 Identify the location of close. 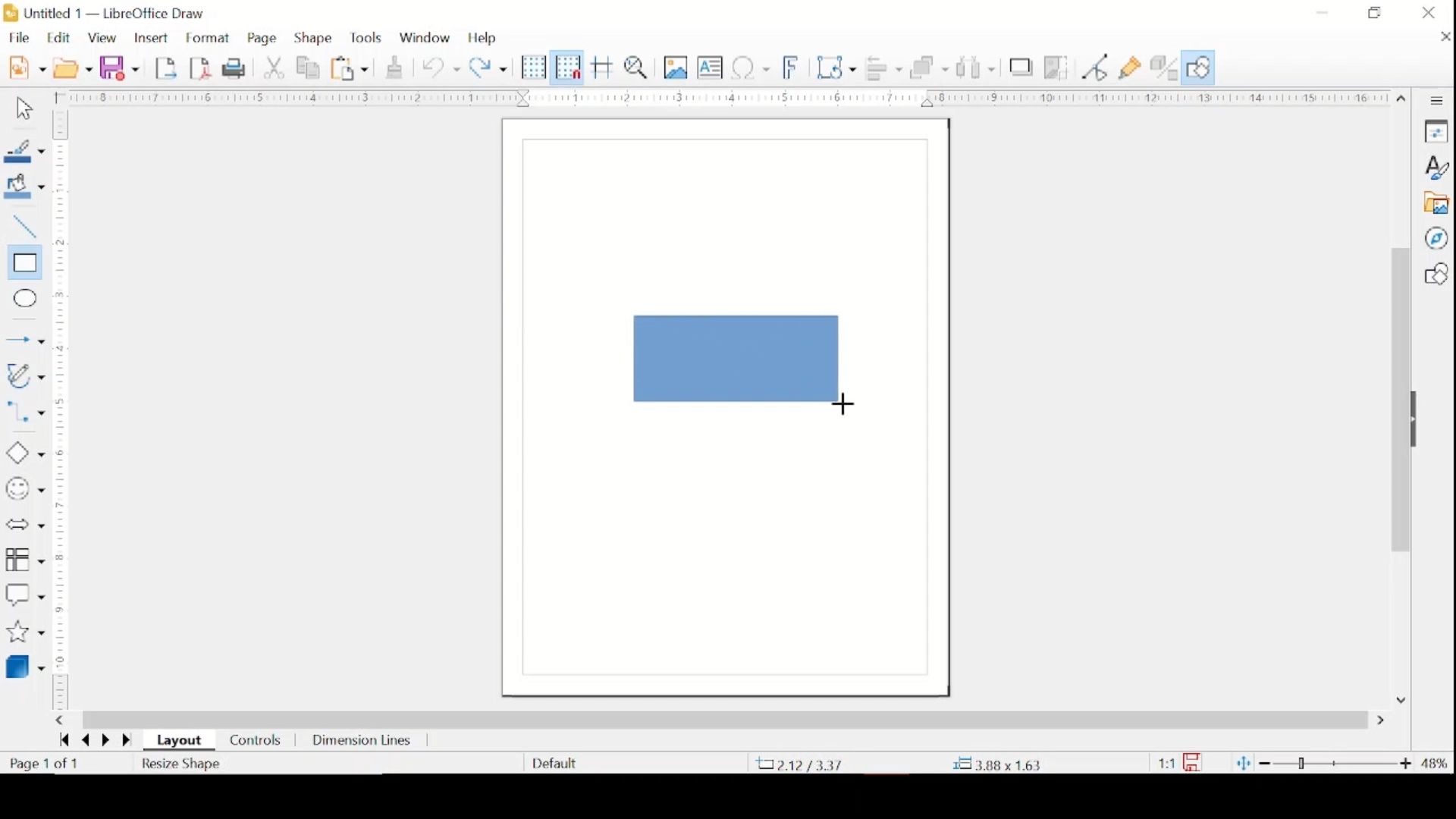
(1429, 13).